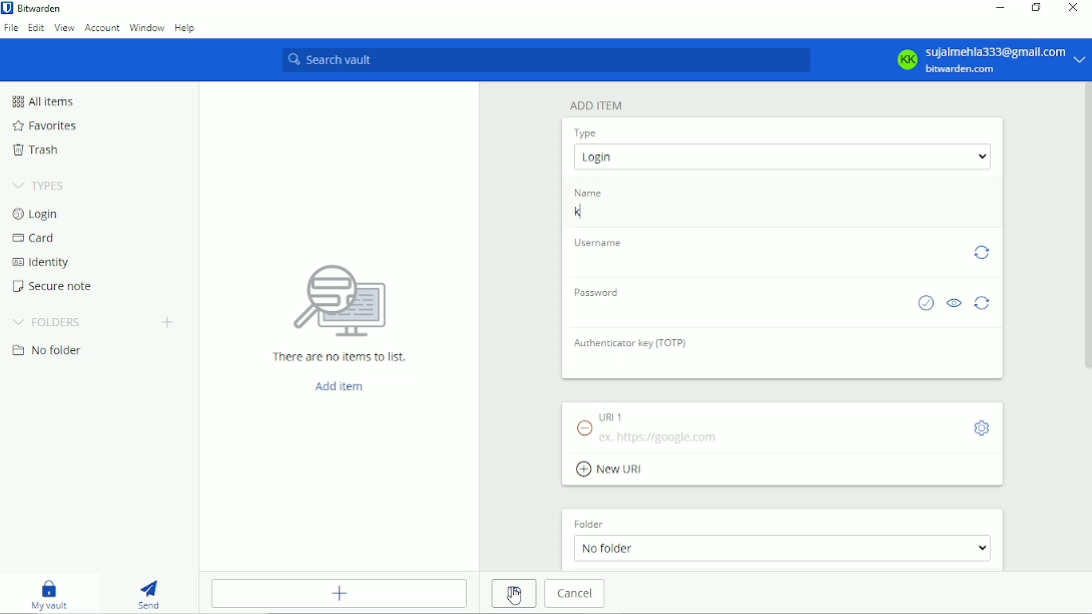  I want to click on bitwarden logo, so click(7, 7).